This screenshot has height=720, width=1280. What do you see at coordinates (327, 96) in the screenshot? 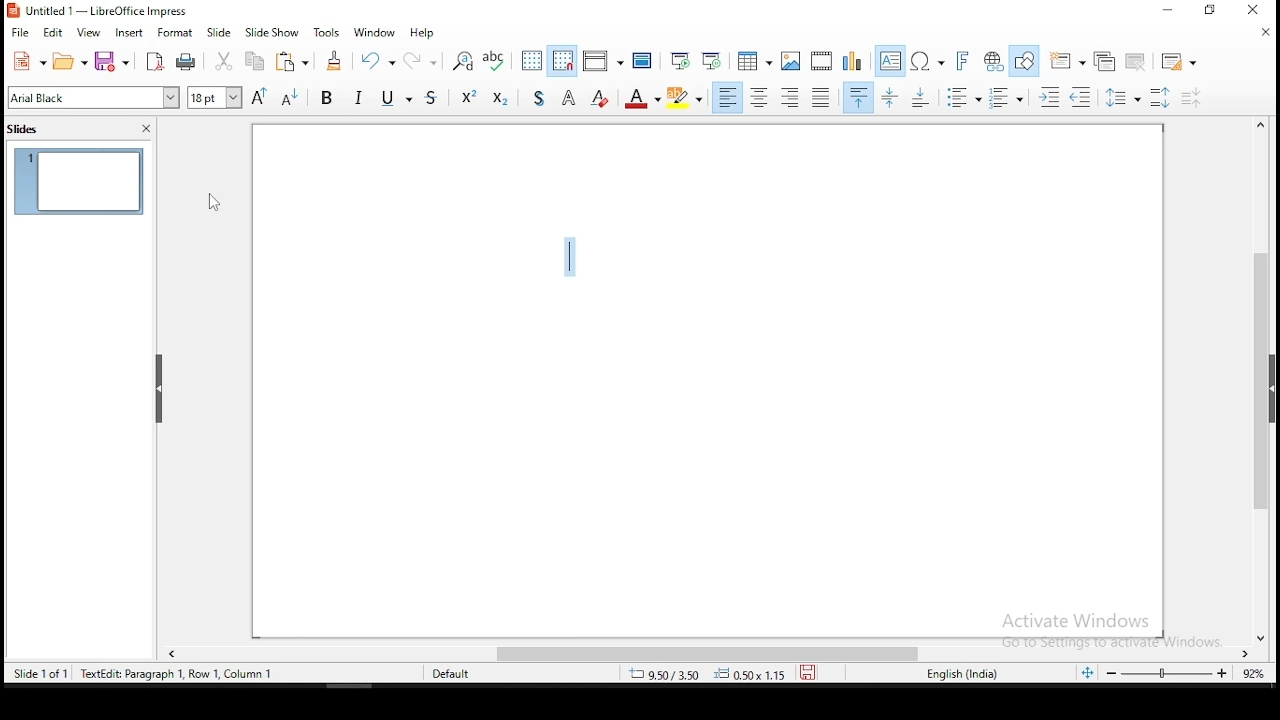
I see `Bold` at bounding box center [327, 96].